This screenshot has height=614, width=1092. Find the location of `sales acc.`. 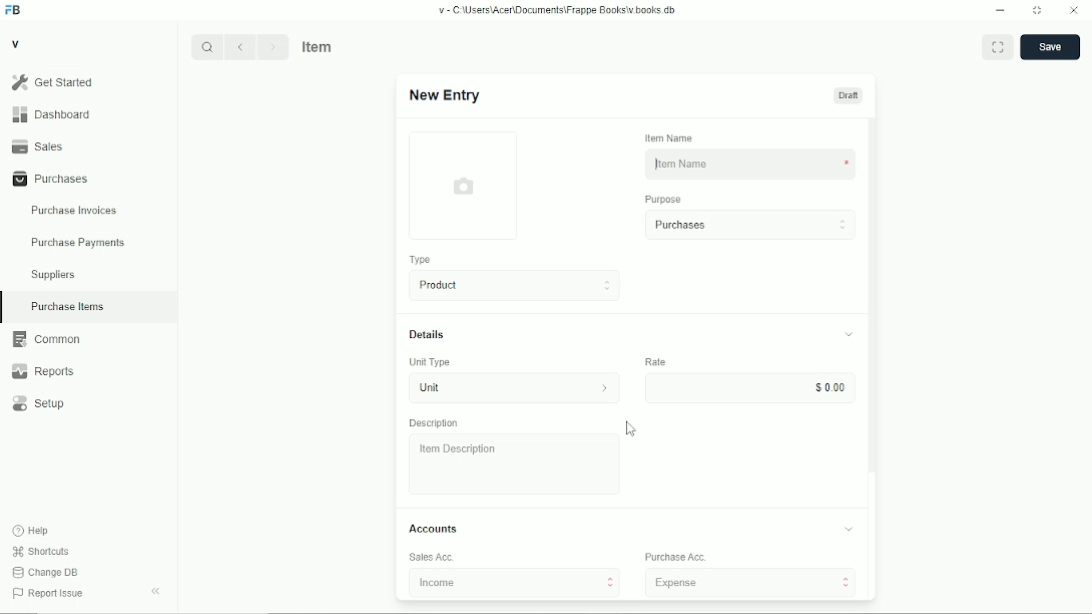

sales acc. is located at coordinates (432, 557).